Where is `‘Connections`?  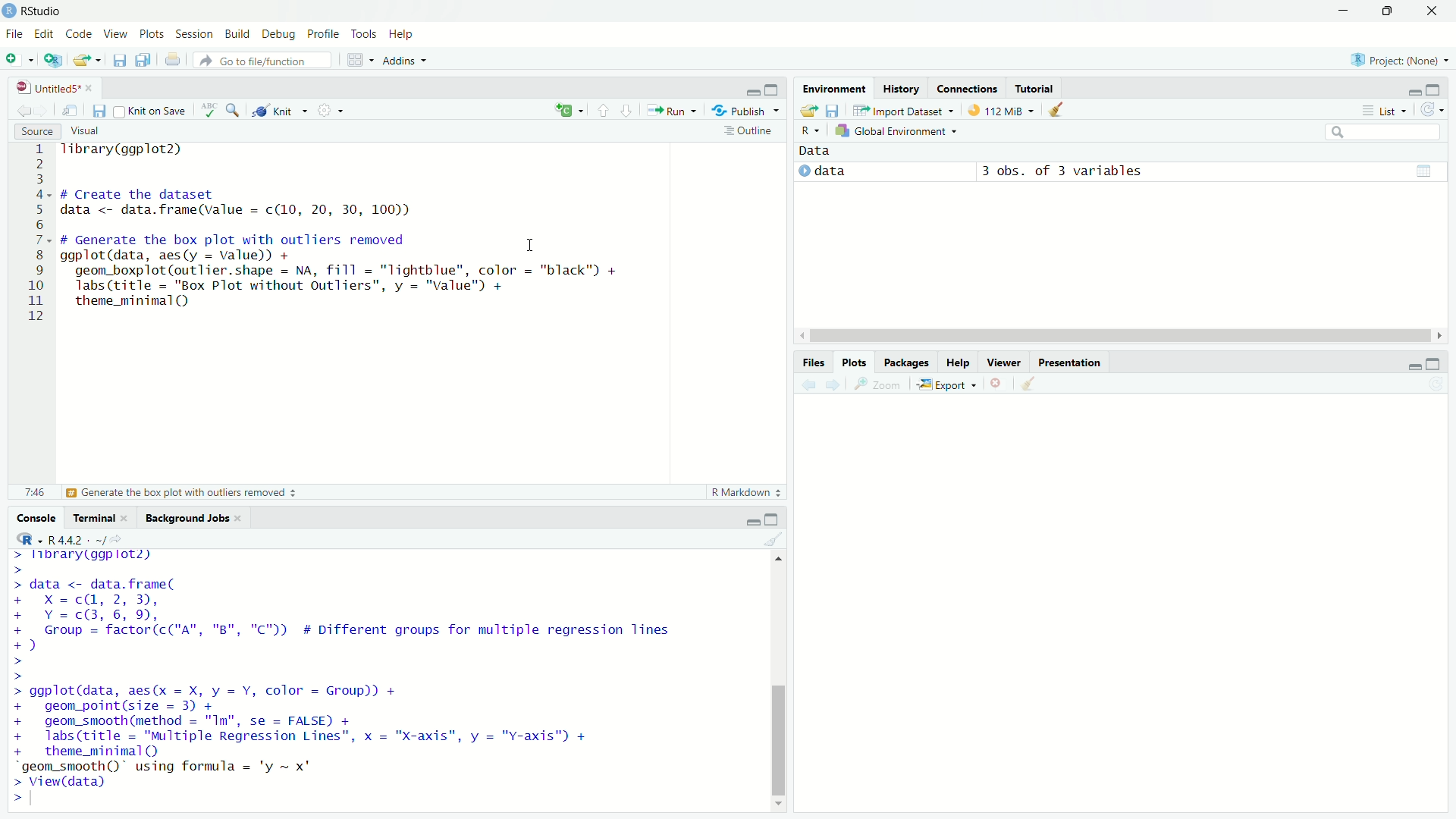
‘Connections is located at coordinates (967, 88).